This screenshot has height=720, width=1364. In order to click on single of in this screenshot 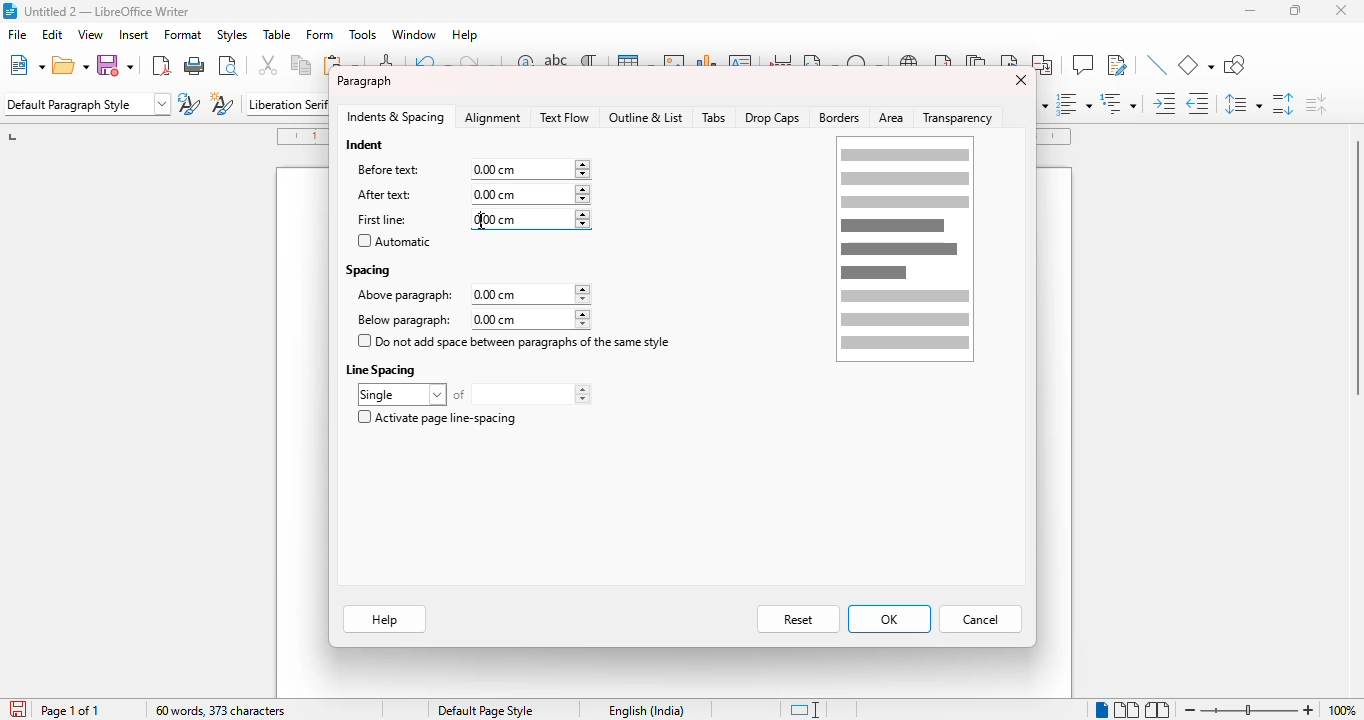, I will do `click(474, 394)`.